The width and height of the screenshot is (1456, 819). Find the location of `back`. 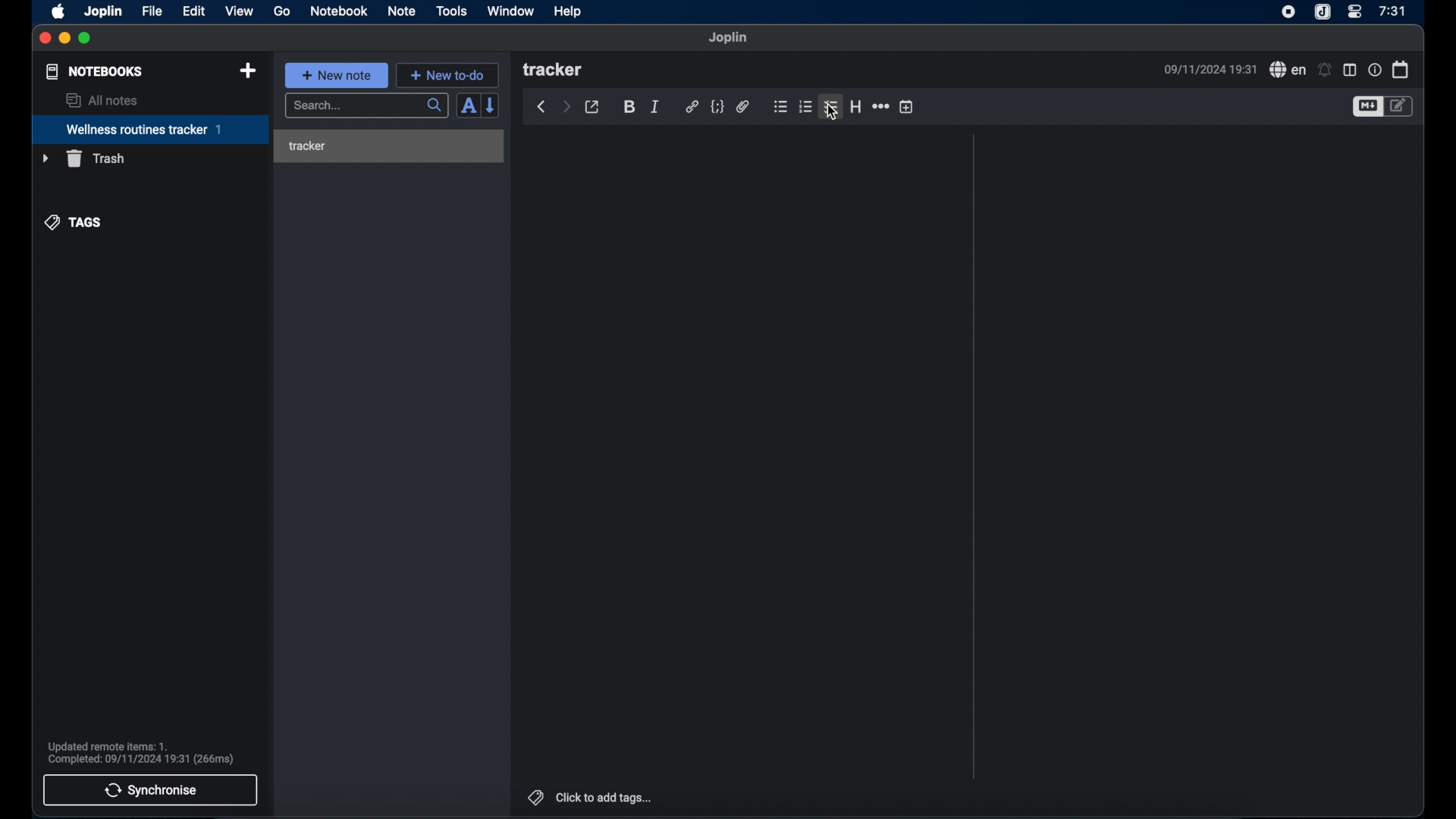

back is located at coordinates (541, 107).